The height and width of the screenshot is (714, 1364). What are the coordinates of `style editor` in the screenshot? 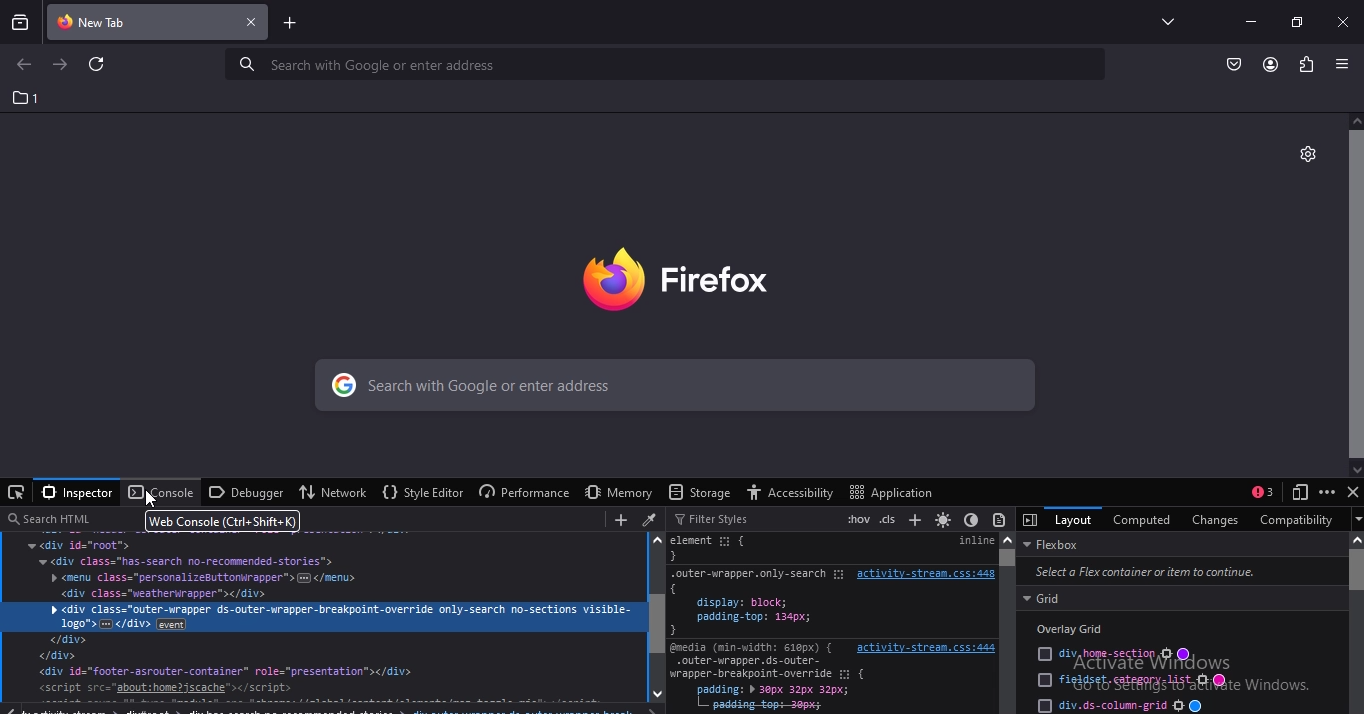 It's located at (424, 492).